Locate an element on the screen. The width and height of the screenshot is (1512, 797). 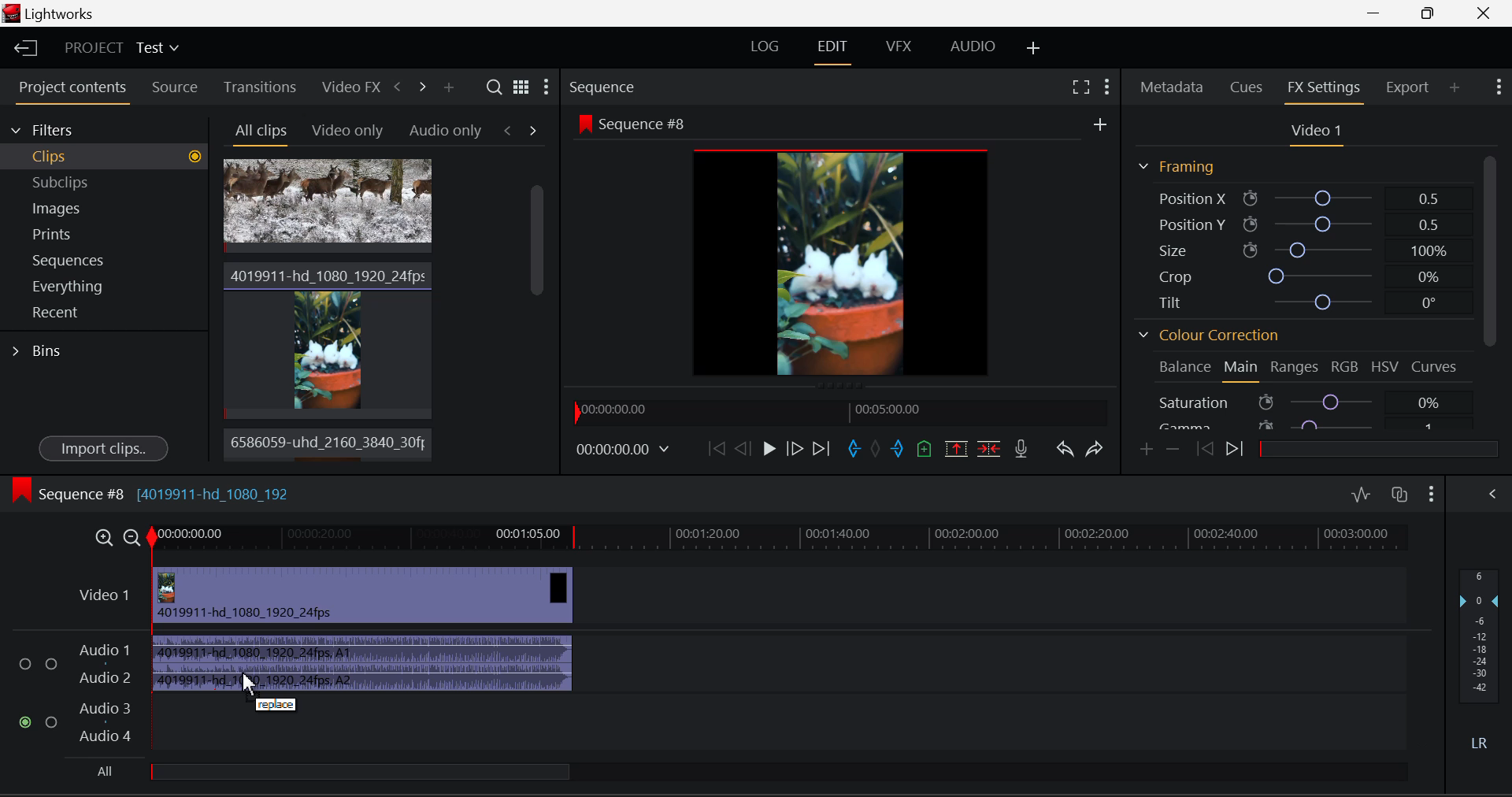
Bins is located at coordinates (38, 353).